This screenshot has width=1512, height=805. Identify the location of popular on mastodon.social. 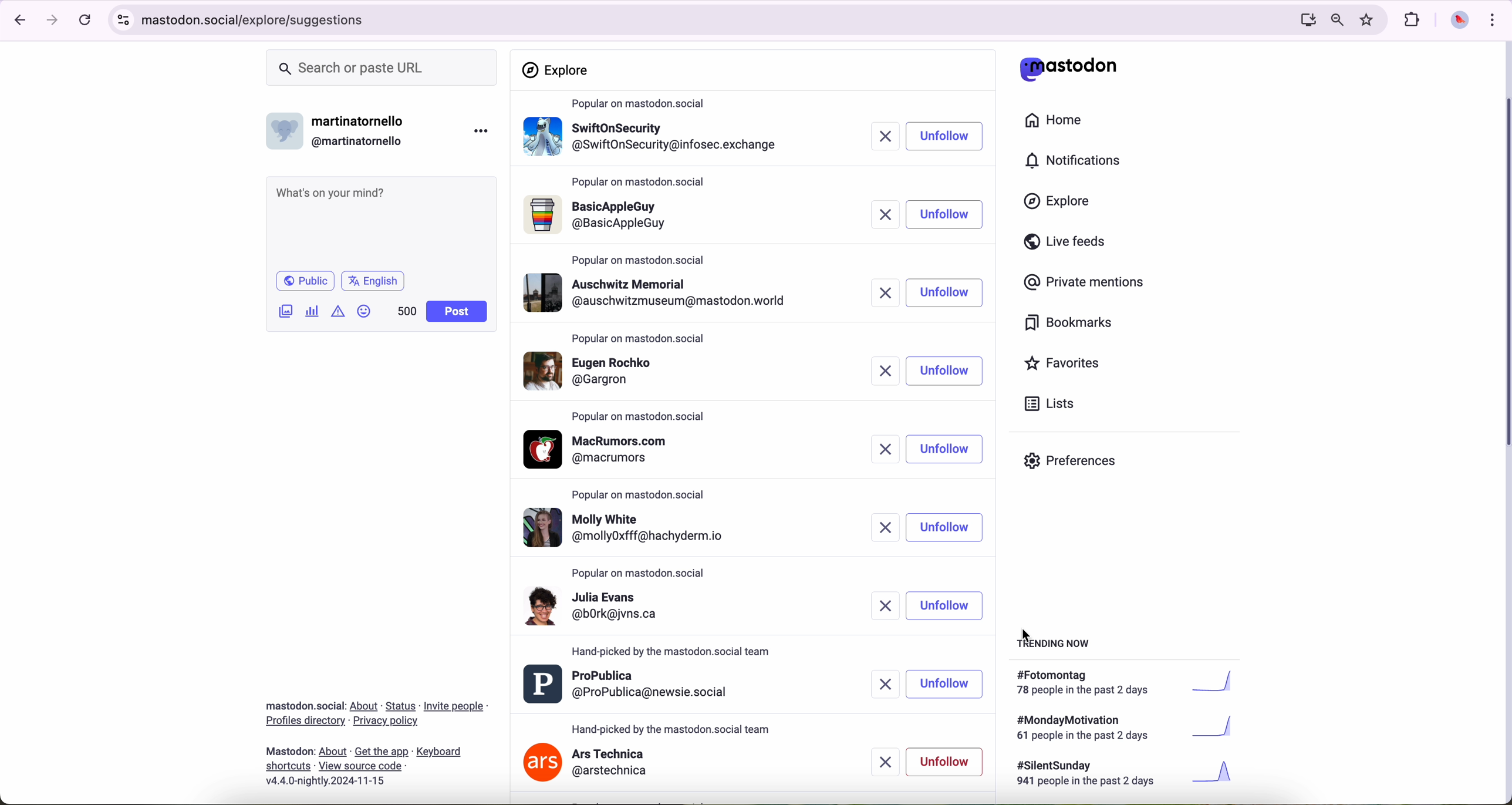
(643, 415).